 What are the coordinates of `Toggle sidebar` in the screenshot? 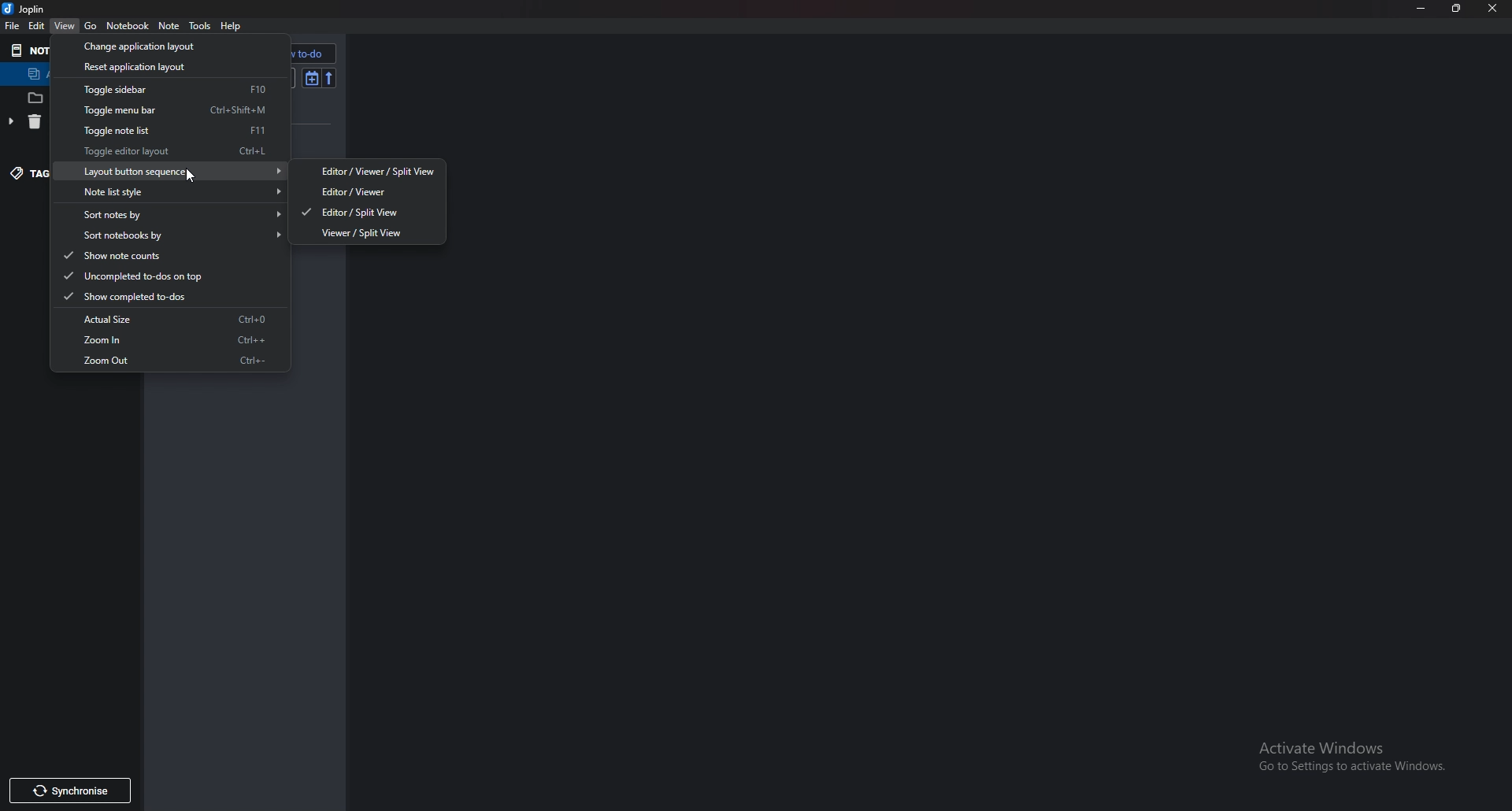 It's located at (166, 90).